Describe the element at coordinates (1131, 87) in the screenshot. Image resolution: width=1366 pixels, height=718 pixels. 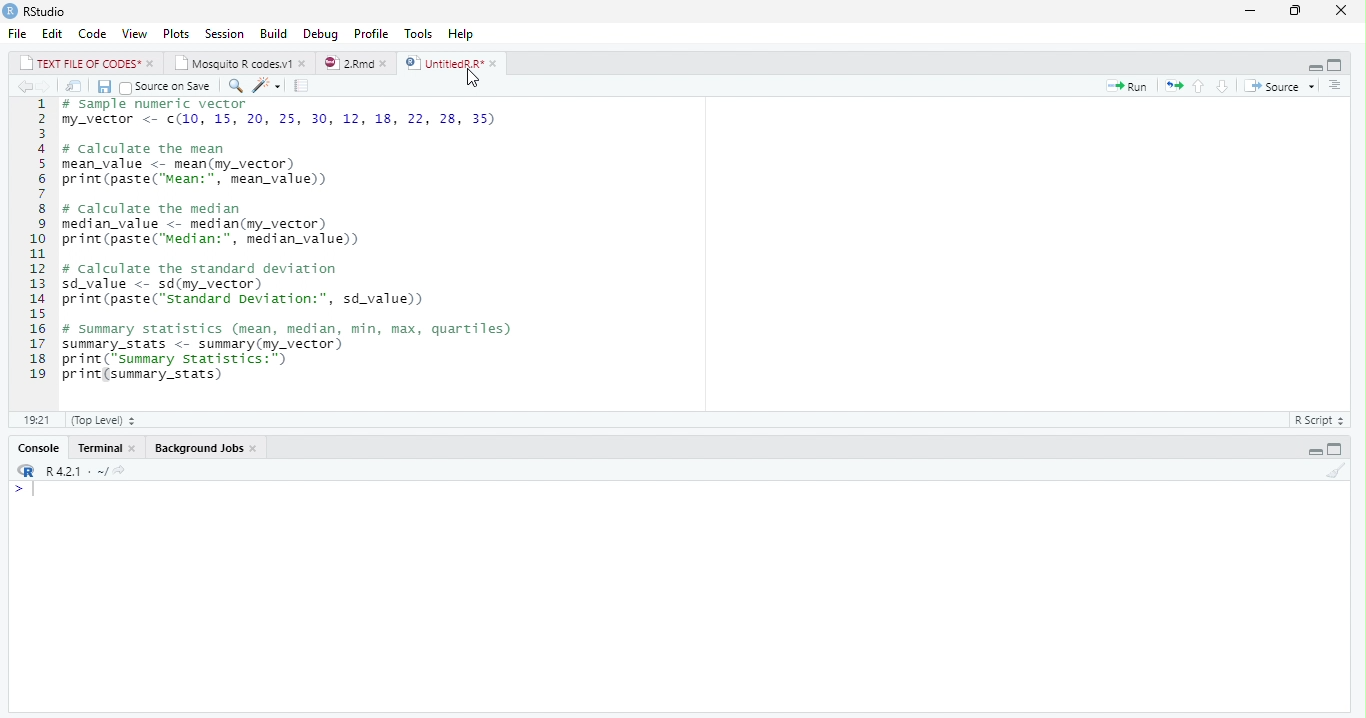
I see `run current file` at that location.